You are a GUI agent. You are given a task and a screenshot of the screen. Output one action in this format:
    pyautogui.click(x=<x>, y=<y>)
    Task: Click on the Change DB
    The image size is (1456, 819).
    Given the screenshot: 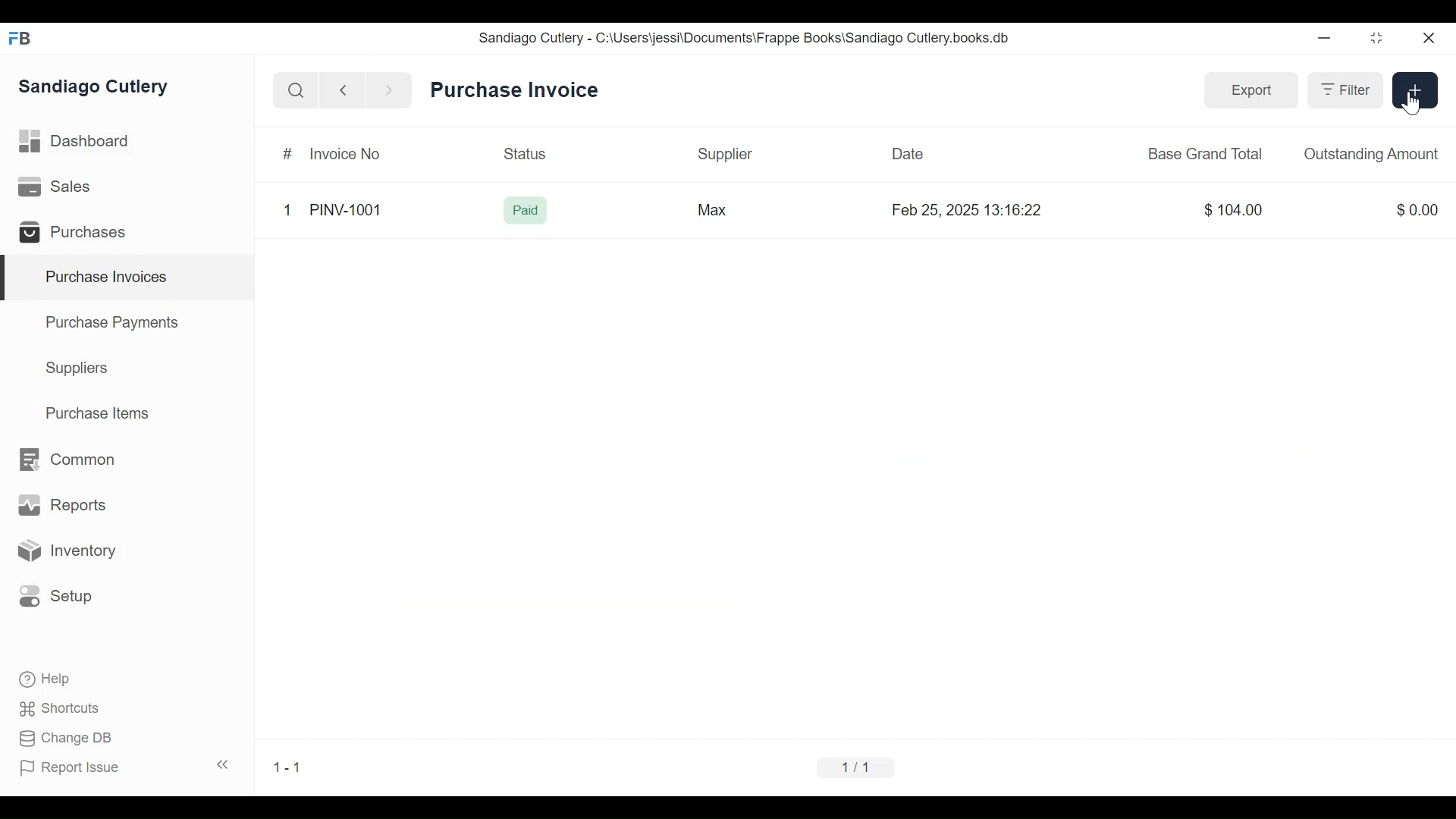 What is the action you would take?
    pyautogui.click(x=68, y=739)
    